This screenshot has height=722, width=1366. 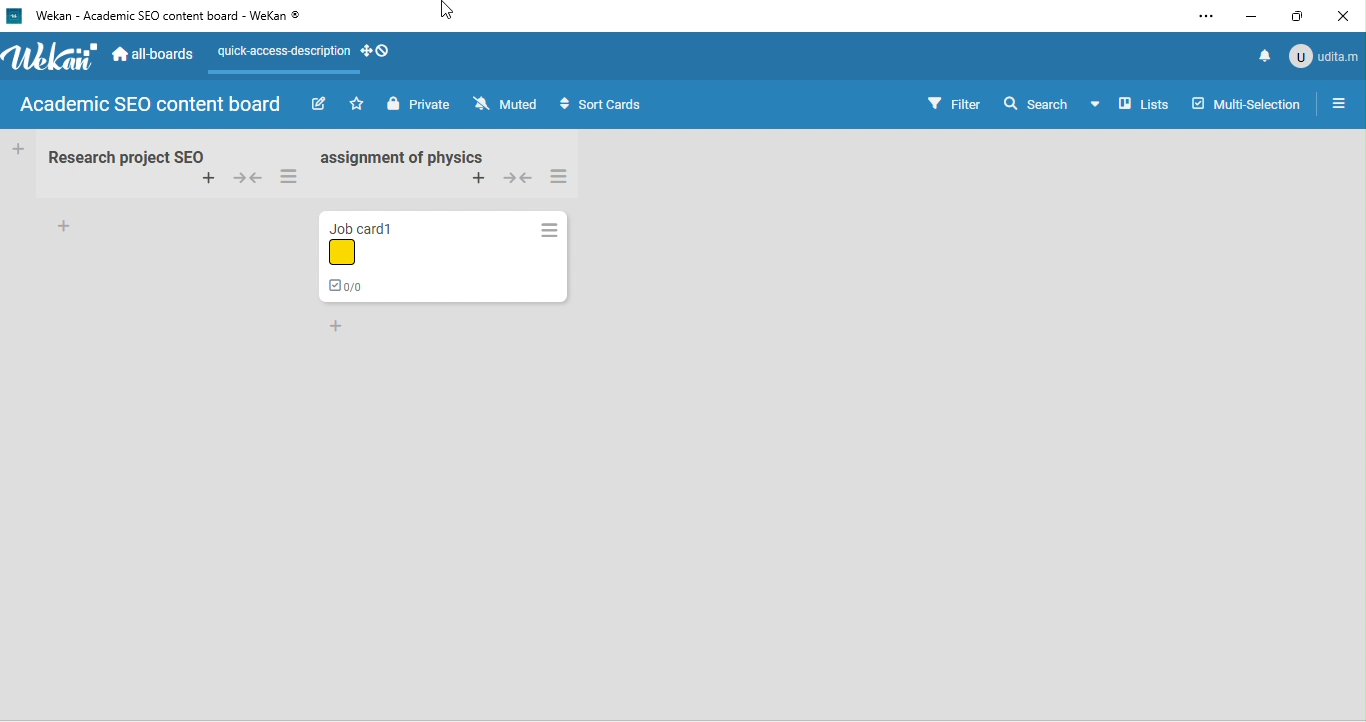 I want to click on edit, so click(x=321, y=104).